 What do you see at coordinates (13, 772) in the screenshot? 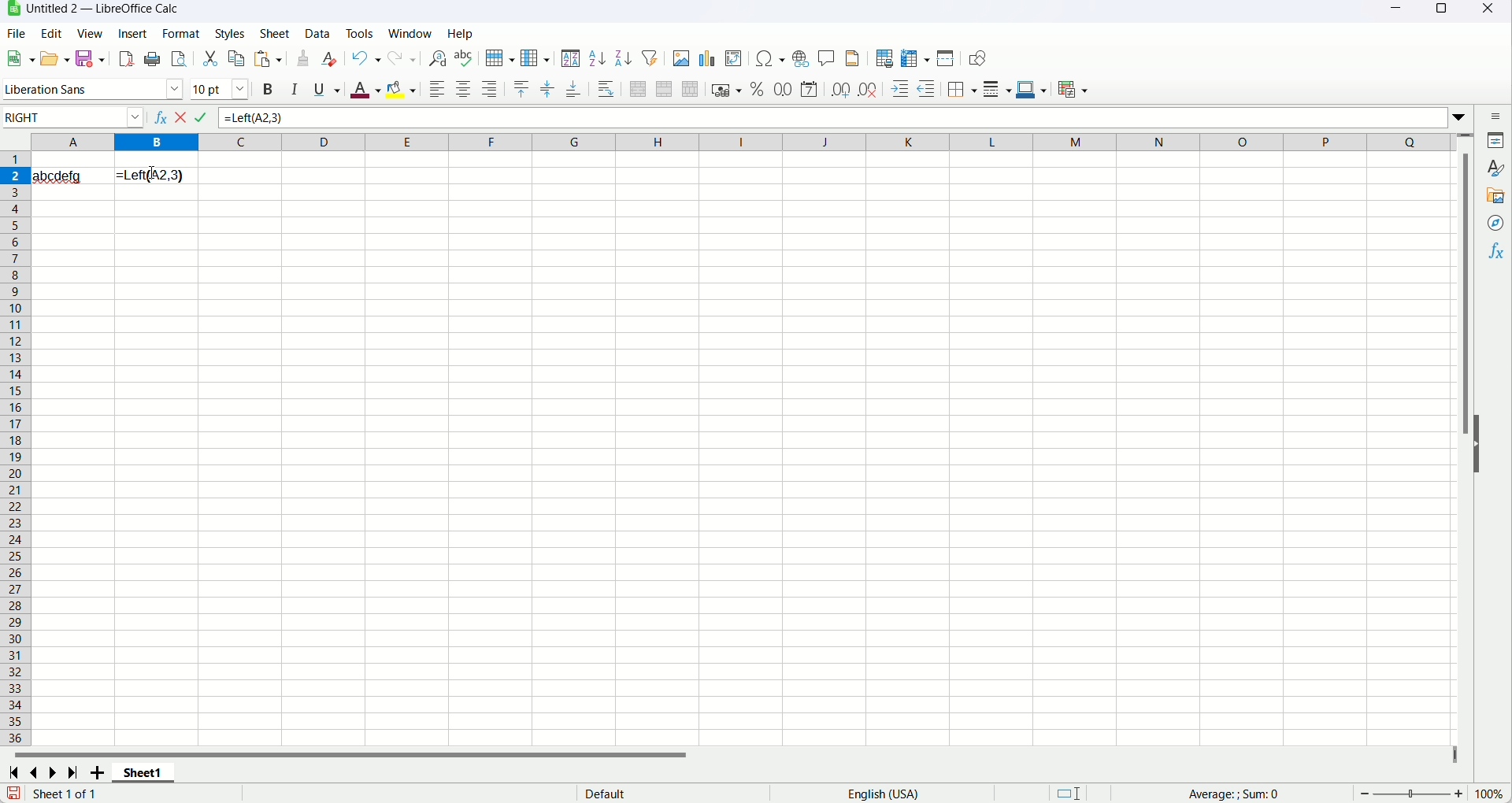
I see `scroll to first page` at bounding box center [13, 772].